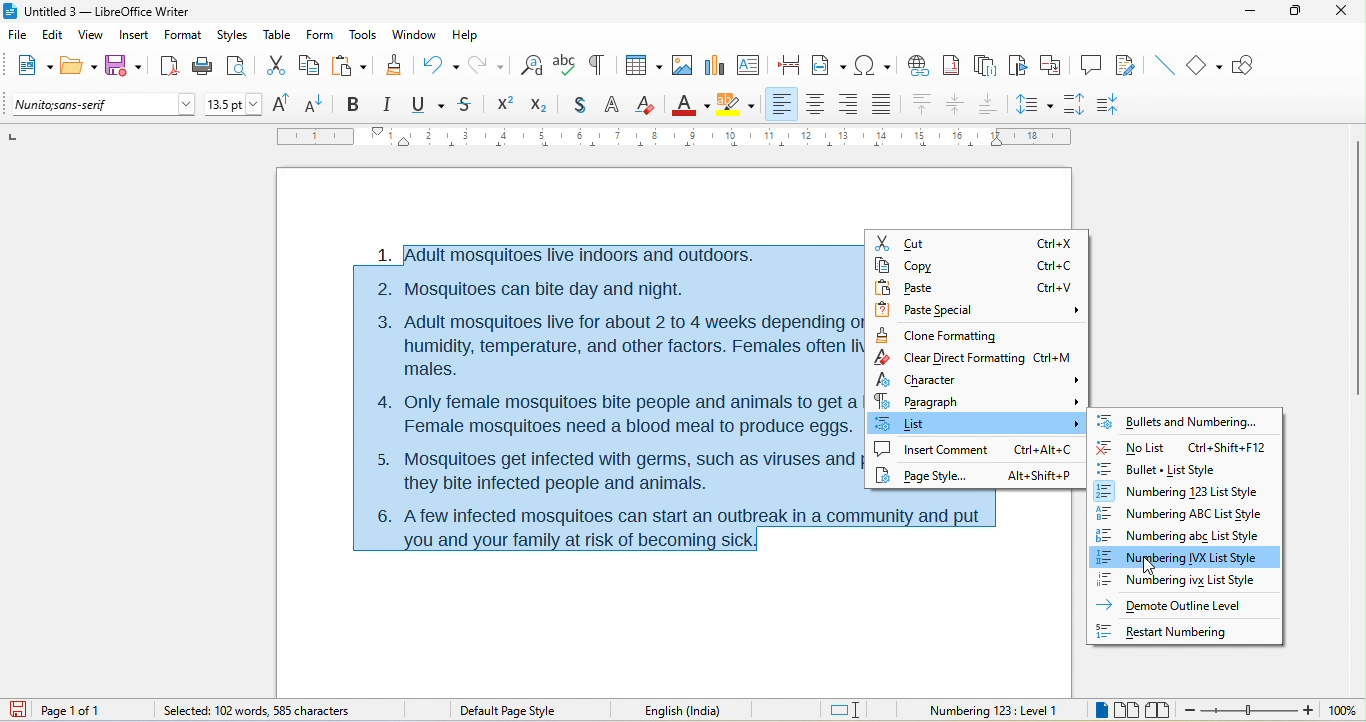 Image resolution: width=1366 pixels, height=722 pixels. What do you see at coordinates (573, 106) in the screenshot?
I see `shadow` at bounding box center [573, 106].